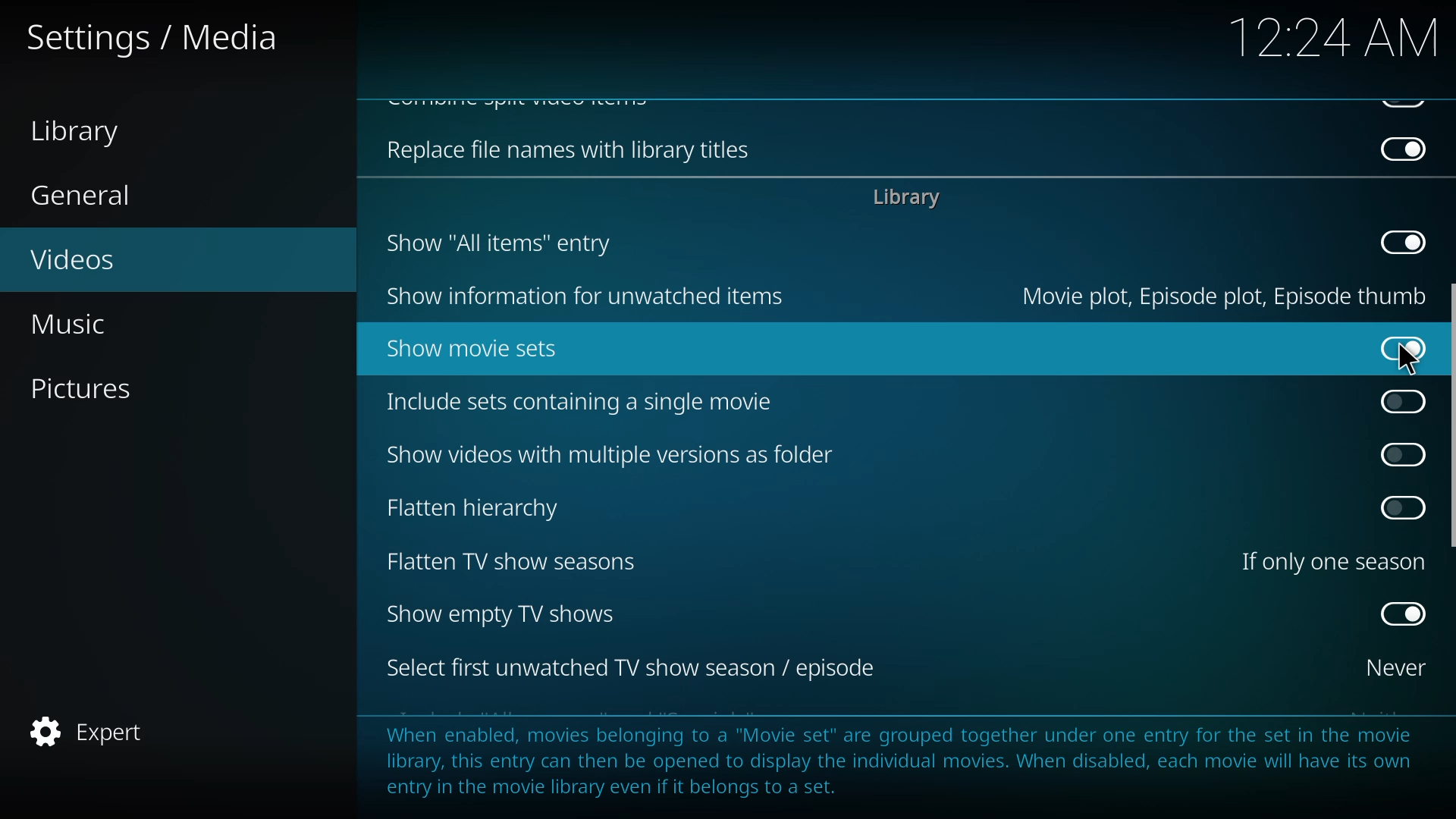 This screenshot has height=819, width=1456. I want to click on general, so click(88, 196).